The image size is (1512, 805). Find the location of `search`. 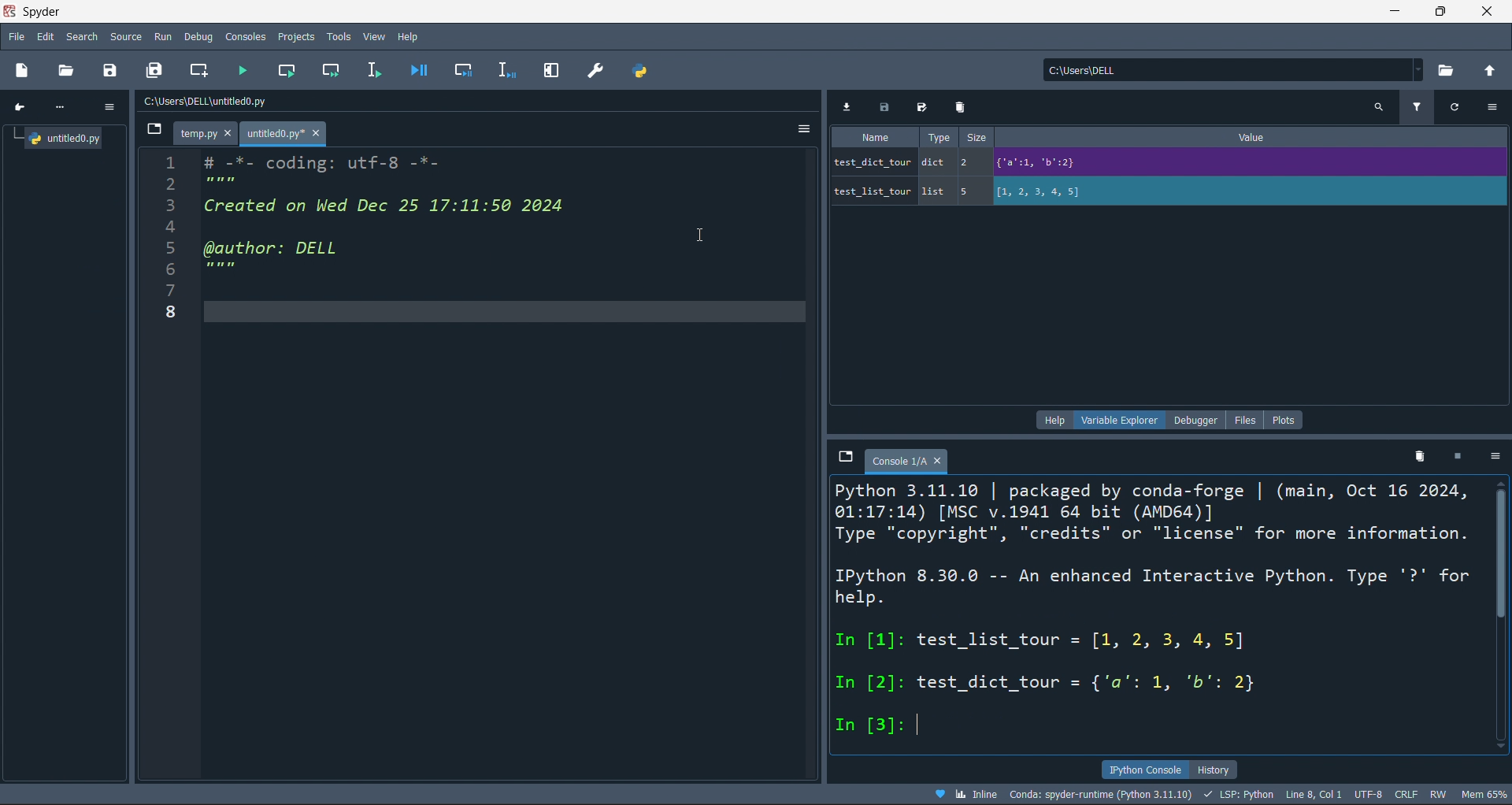

search is located at coordinates (80, 35).